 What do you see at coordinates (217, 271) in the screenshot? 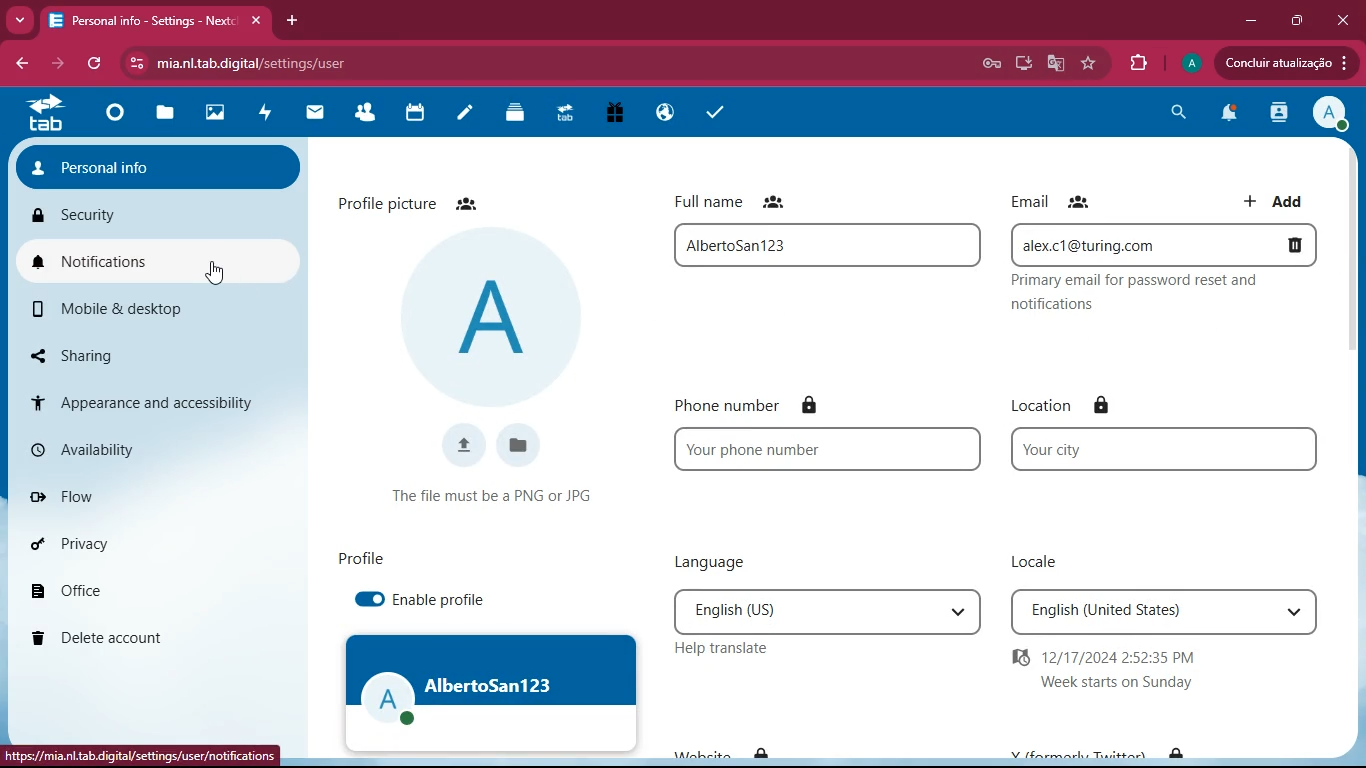
I see `Cursor` at bounding box center [217, 271].